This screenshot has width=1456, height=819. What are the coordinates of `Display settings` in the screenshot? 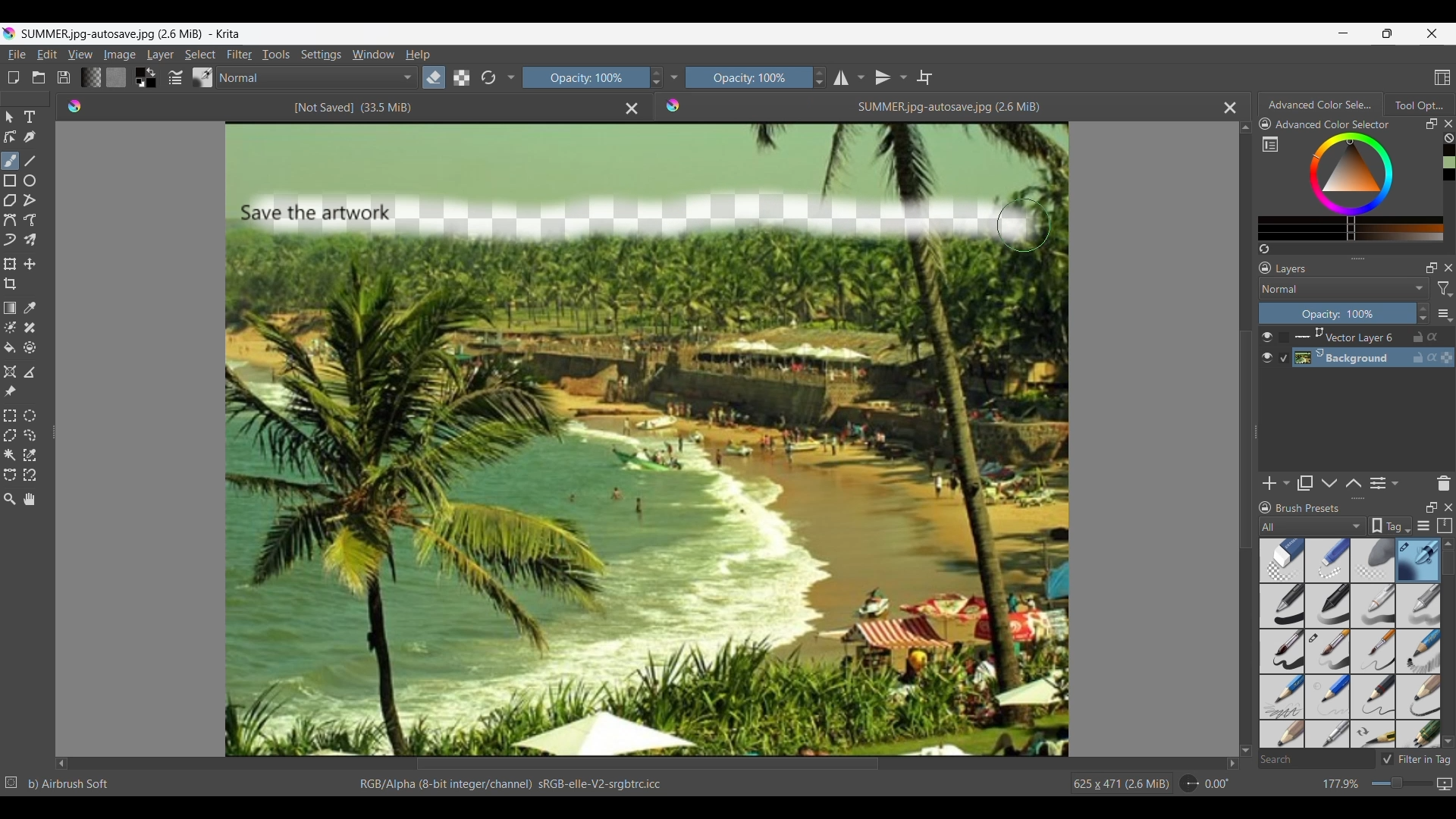 It's located at (1423, 526).